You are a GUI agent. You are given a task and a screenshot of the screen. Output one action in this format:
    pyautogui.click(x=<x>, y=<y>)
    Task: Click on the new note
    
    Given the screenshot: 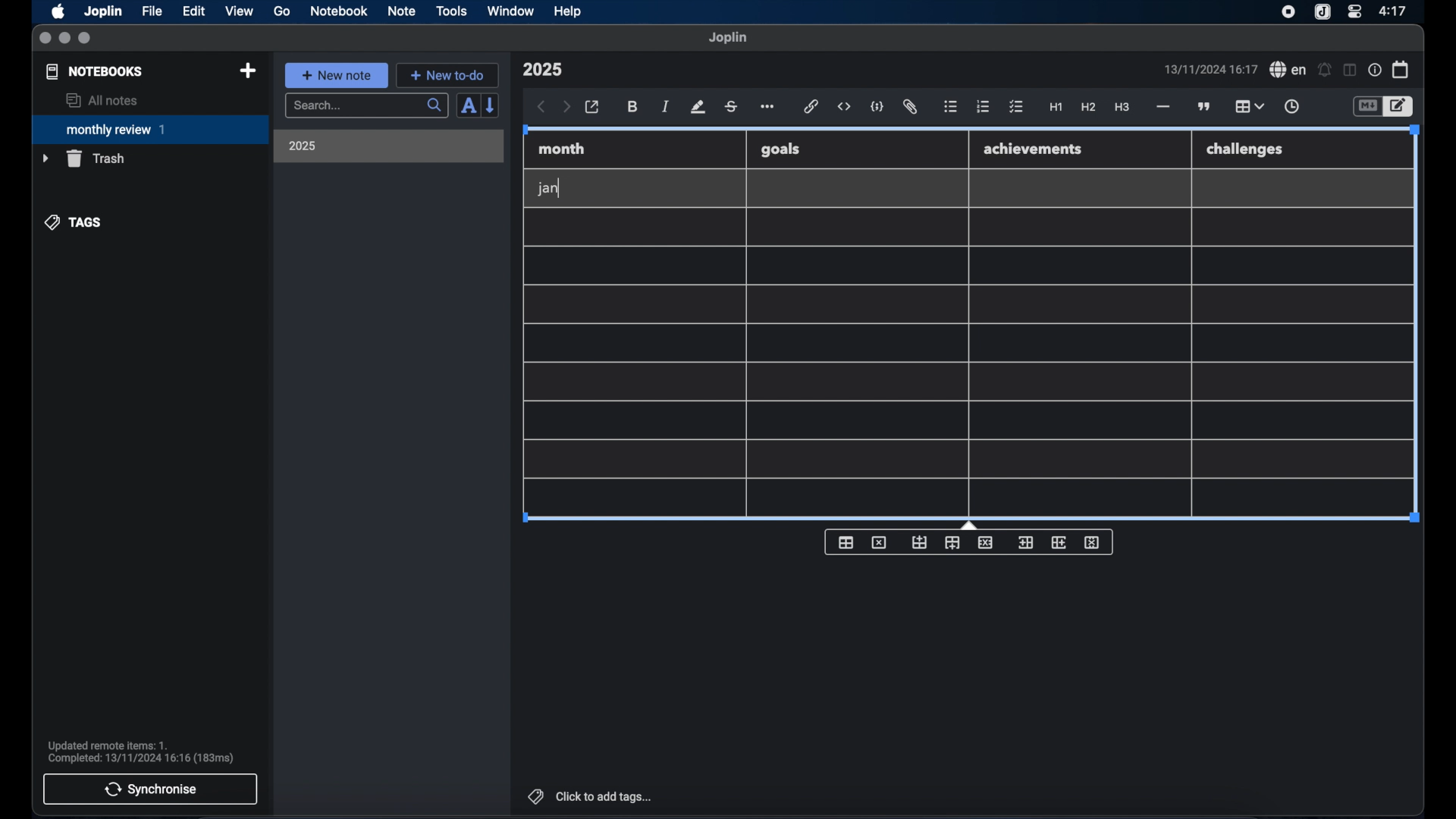 What is the action you would take?
    pyautogui.click(x=336, y=75)
    